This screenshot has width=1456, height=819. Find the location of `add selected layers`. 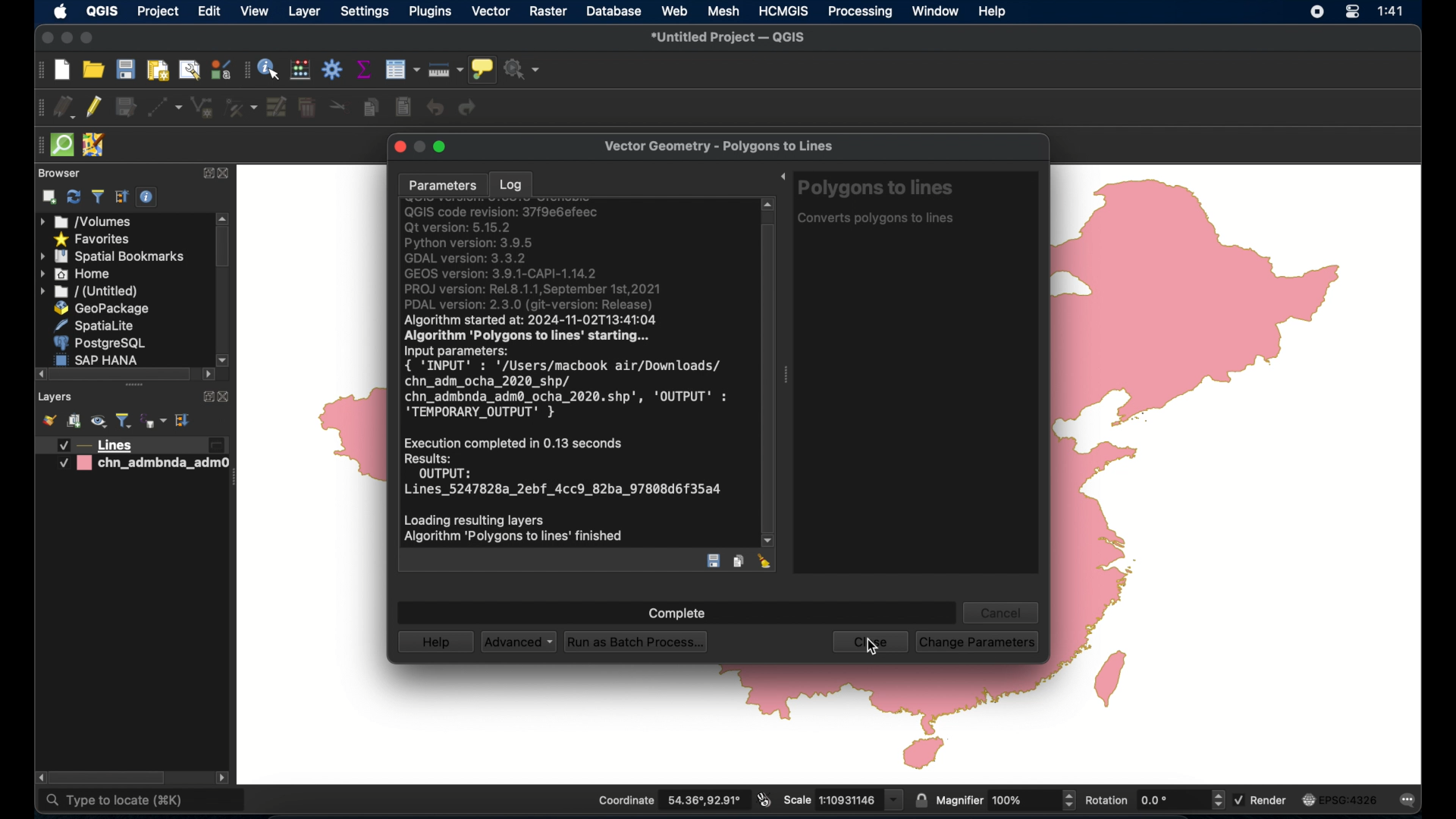

add selected layers is located at coordinates (50, 197).